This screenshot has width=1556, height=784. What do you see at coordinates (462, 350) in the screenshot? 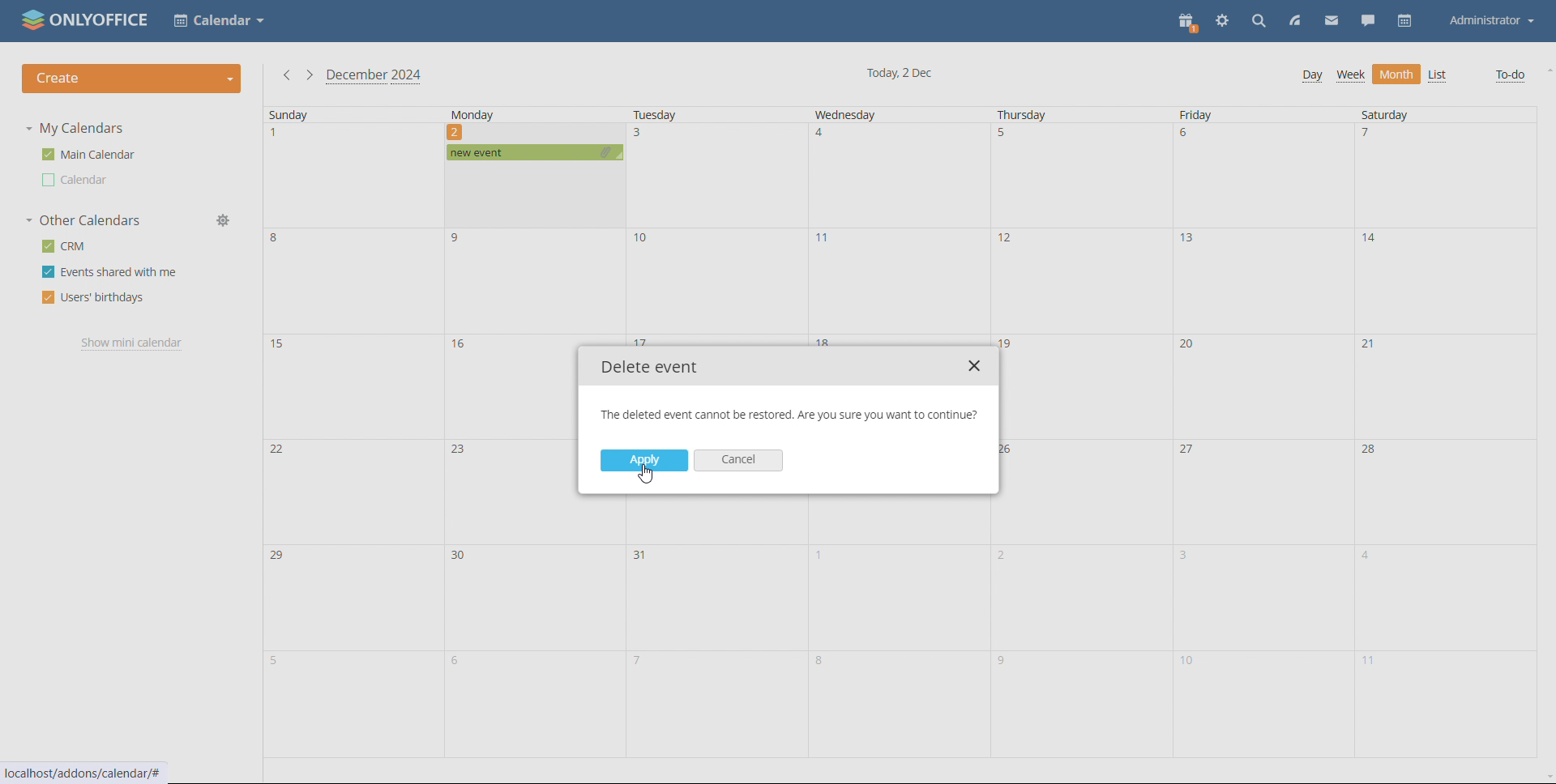
I see `16` at bounding box center [462, 350].